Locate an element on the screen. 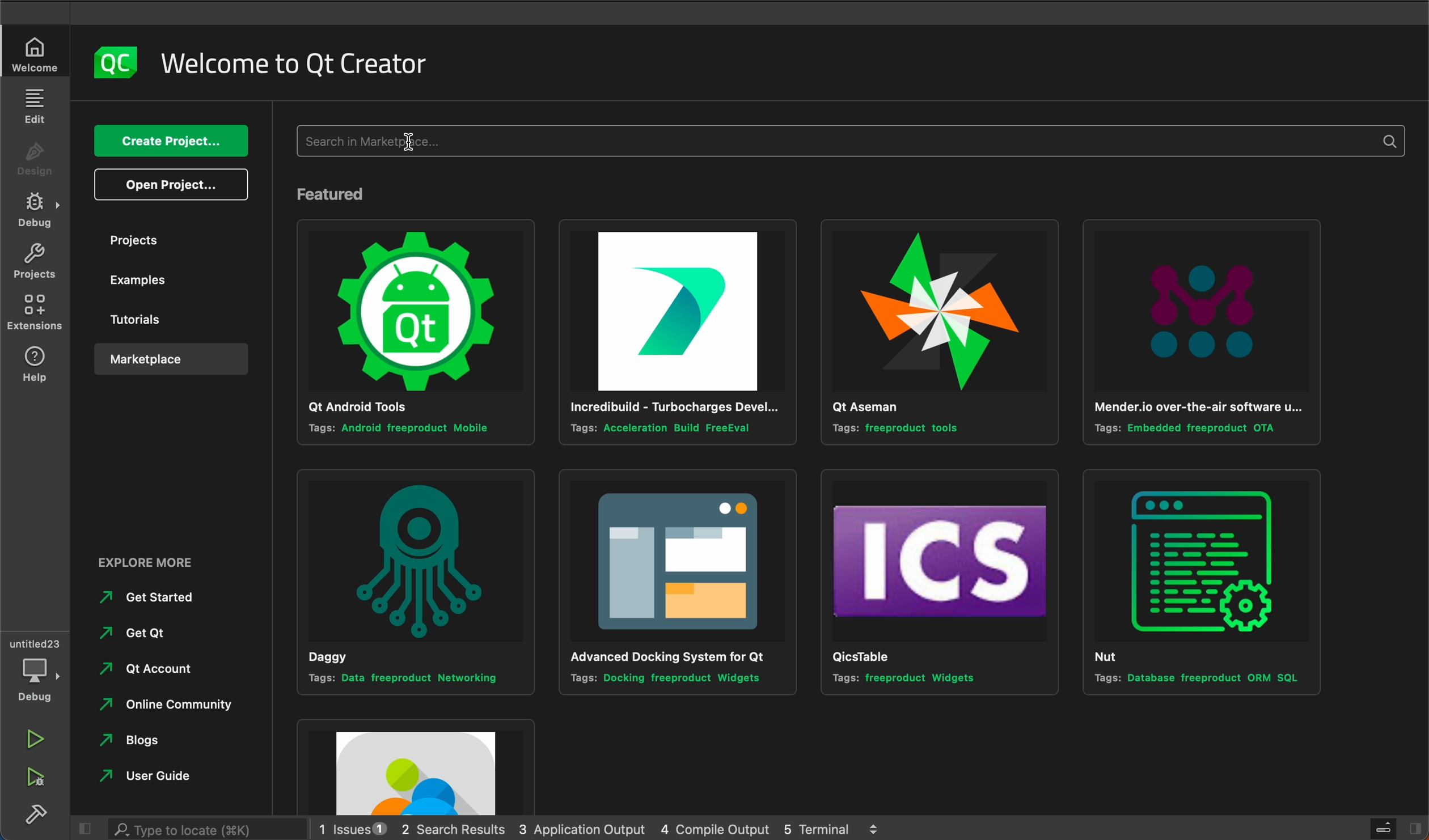  examples is located at coordinates (164, 285).